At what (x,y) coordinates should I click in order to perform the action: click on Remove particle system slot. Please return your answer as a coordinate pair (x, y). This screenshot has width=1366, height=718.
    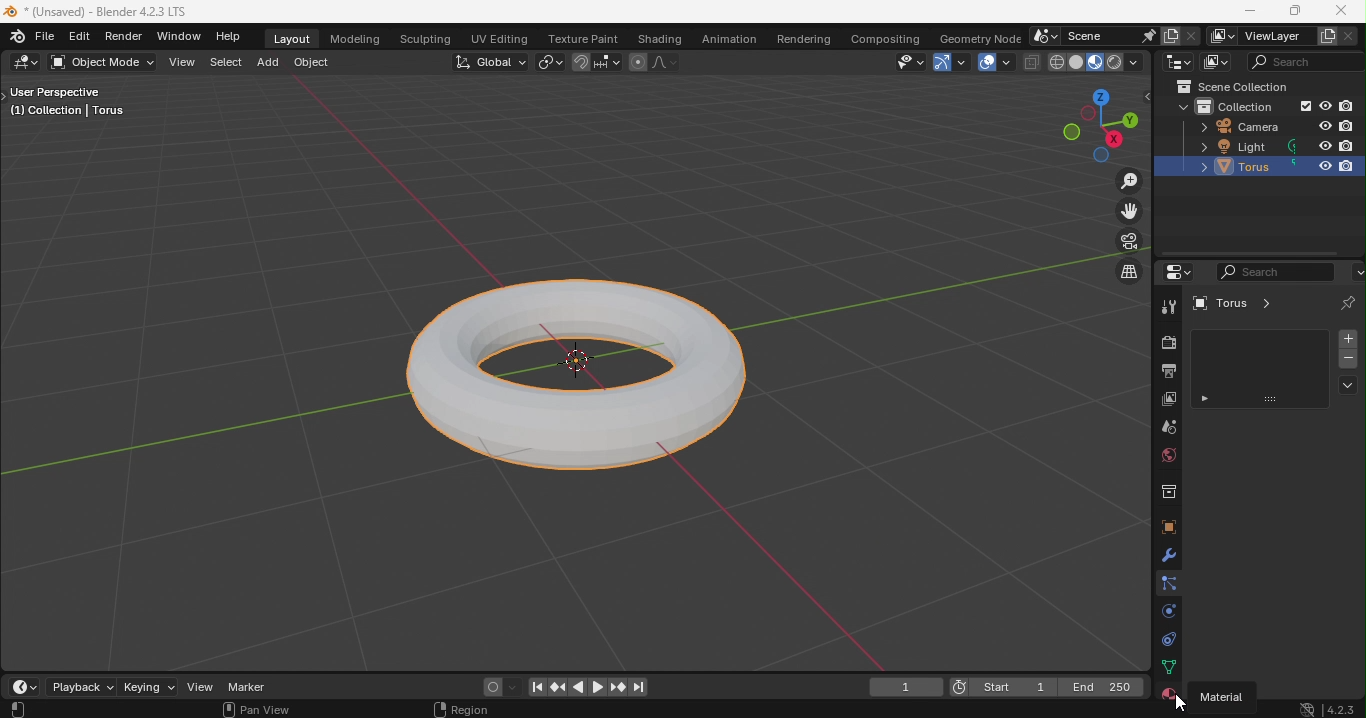
    Looking at the image, I should click on (1347, 360).